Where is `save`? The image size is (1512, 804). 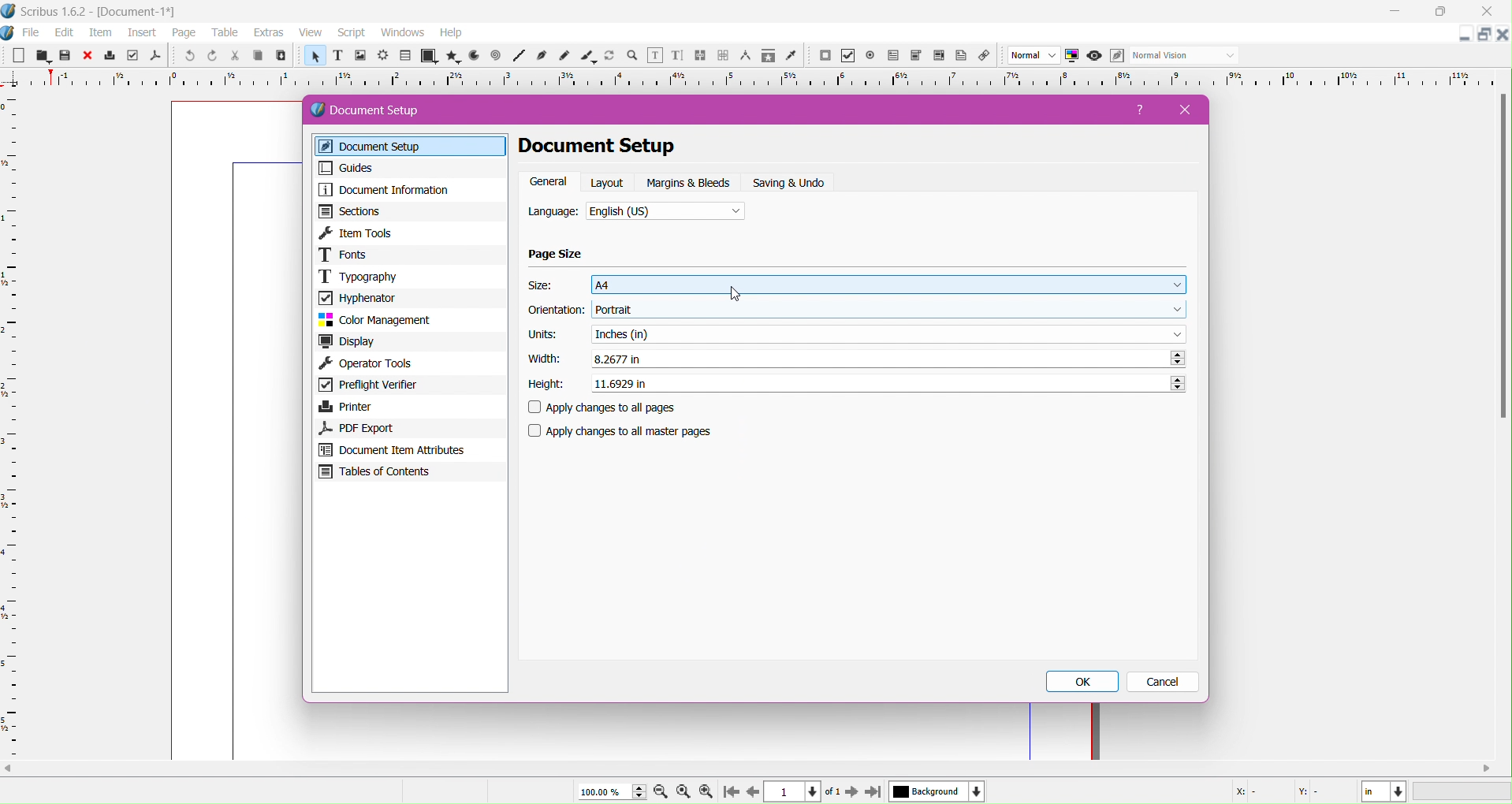
save is located at coordinates (65, 57).